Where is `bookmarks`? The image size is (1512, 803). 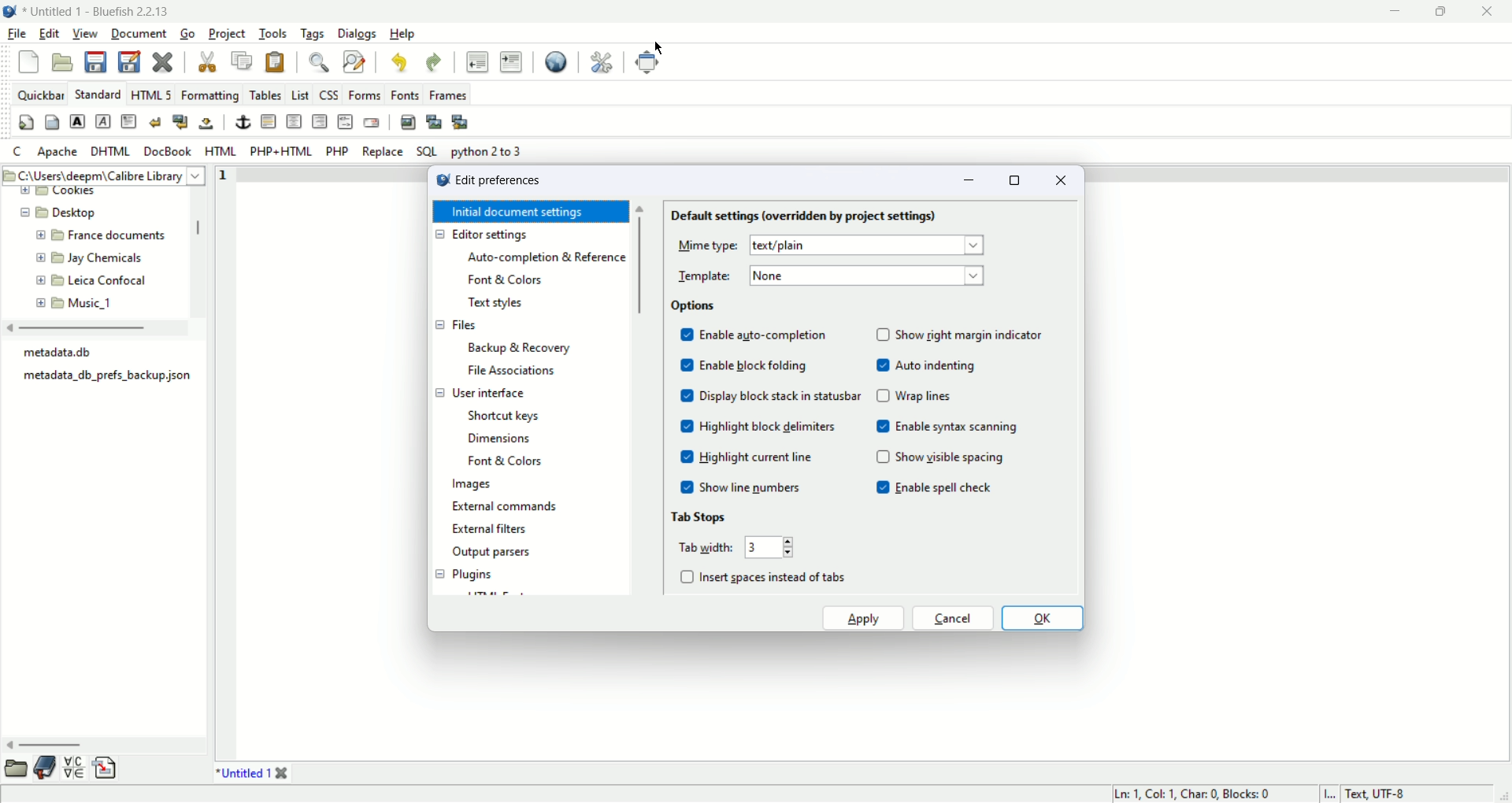 bookmarks is located at coordinates (46, 768).